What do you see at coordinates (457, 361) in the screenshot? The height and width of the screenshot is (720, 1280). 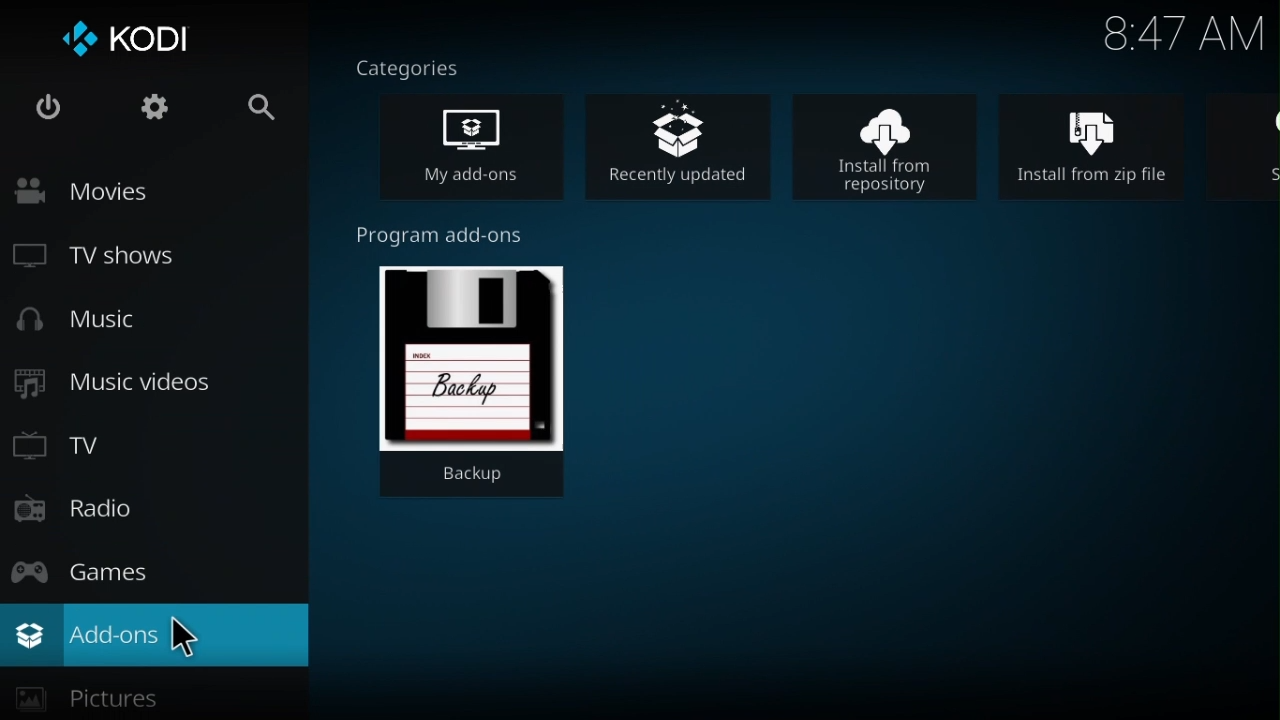 I see `Backup program add on` at bounding box center [457, 361].